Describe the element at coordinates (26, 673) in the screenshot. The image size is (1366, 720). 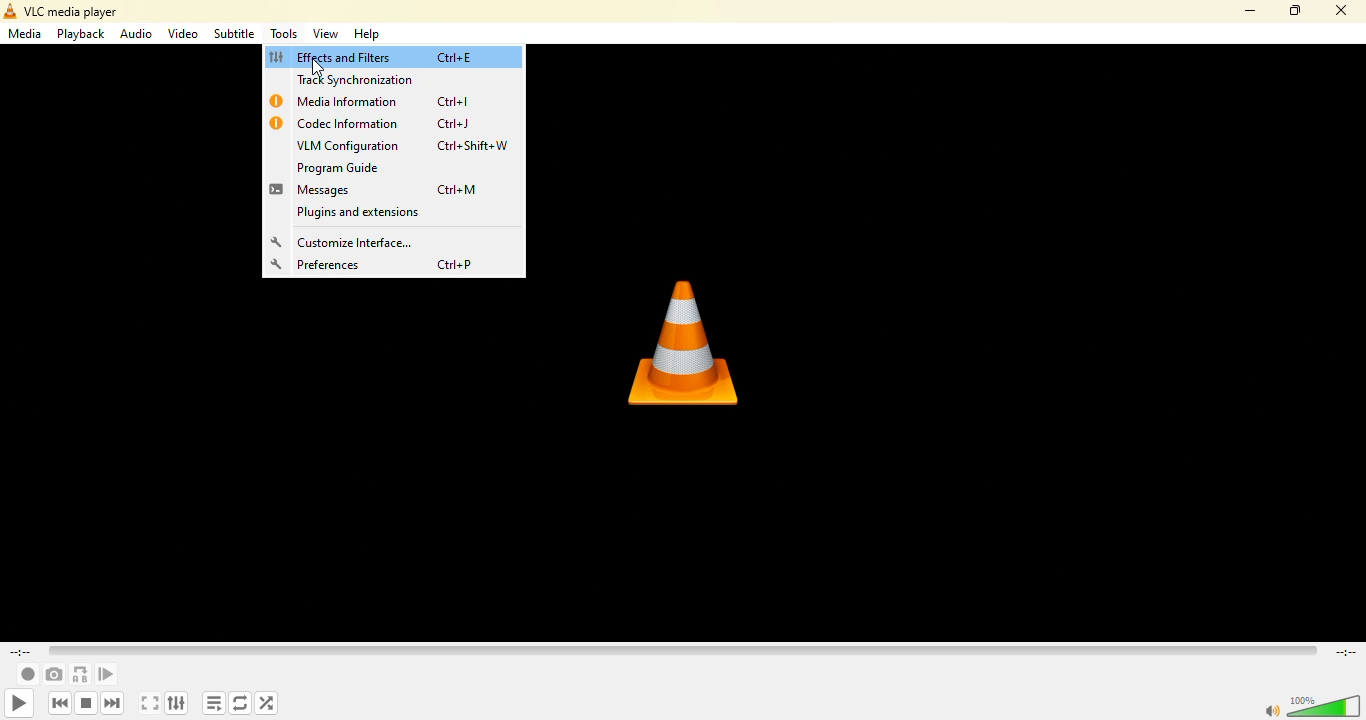
I see `record` at that location.